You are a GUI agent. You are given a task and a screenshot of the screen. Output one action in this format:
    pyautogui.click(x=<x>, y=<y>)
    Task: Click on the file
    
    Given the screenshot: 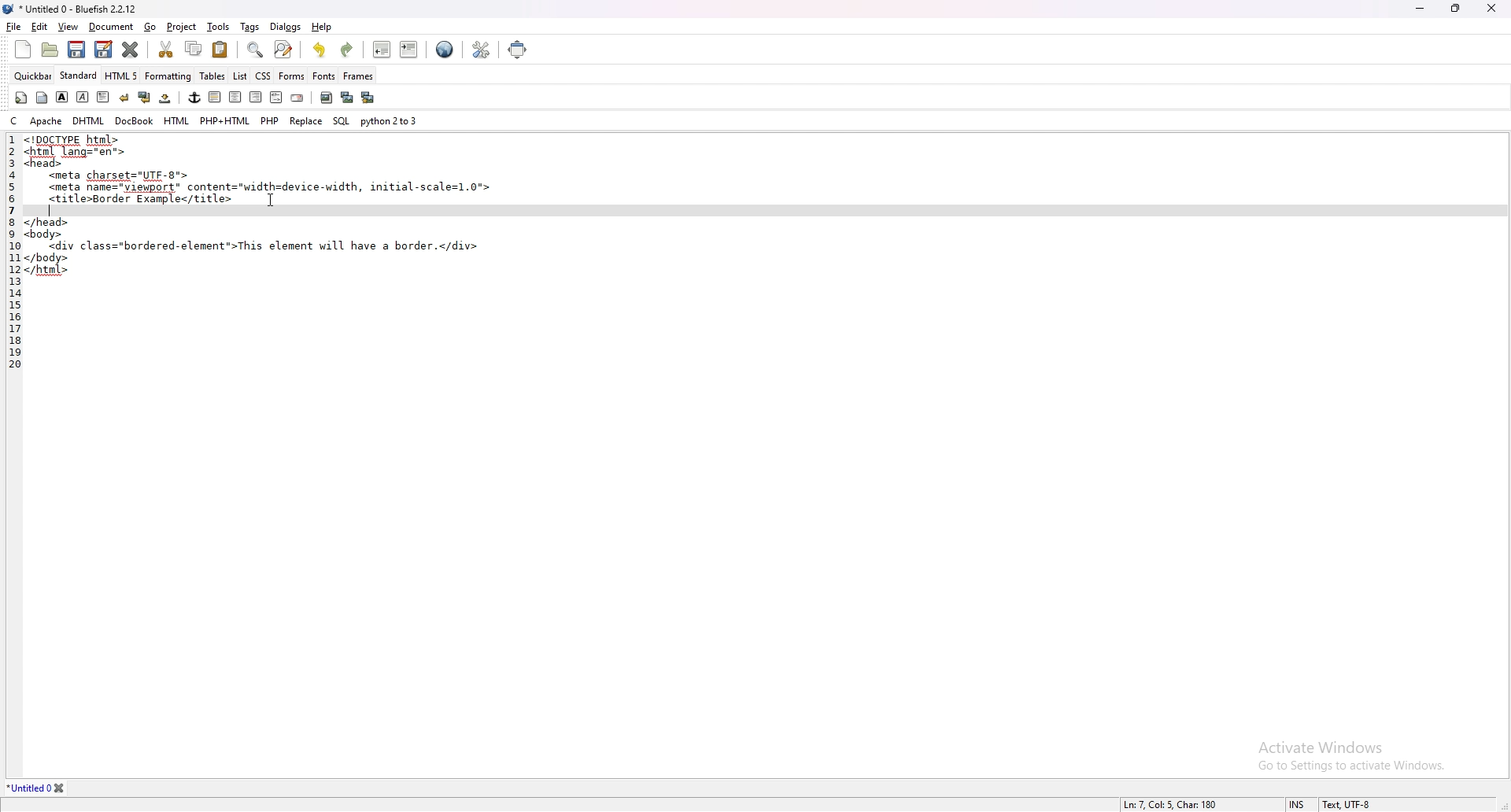 What is the action you would take?
    pyautogui.click(x=13, y=27)
    